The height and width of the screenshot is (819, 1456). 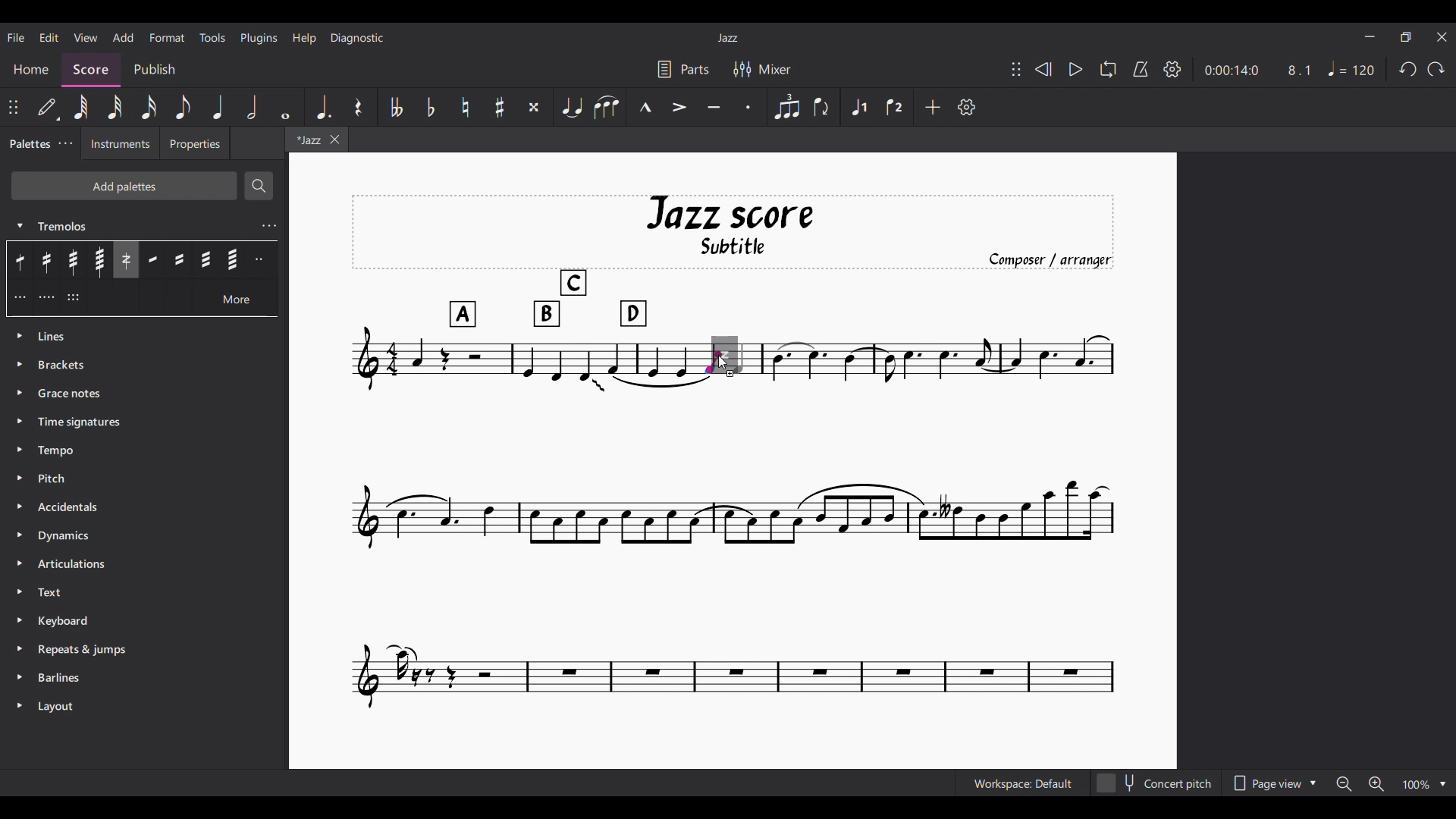 I want to click on Half note, so click(x=252, y=106).